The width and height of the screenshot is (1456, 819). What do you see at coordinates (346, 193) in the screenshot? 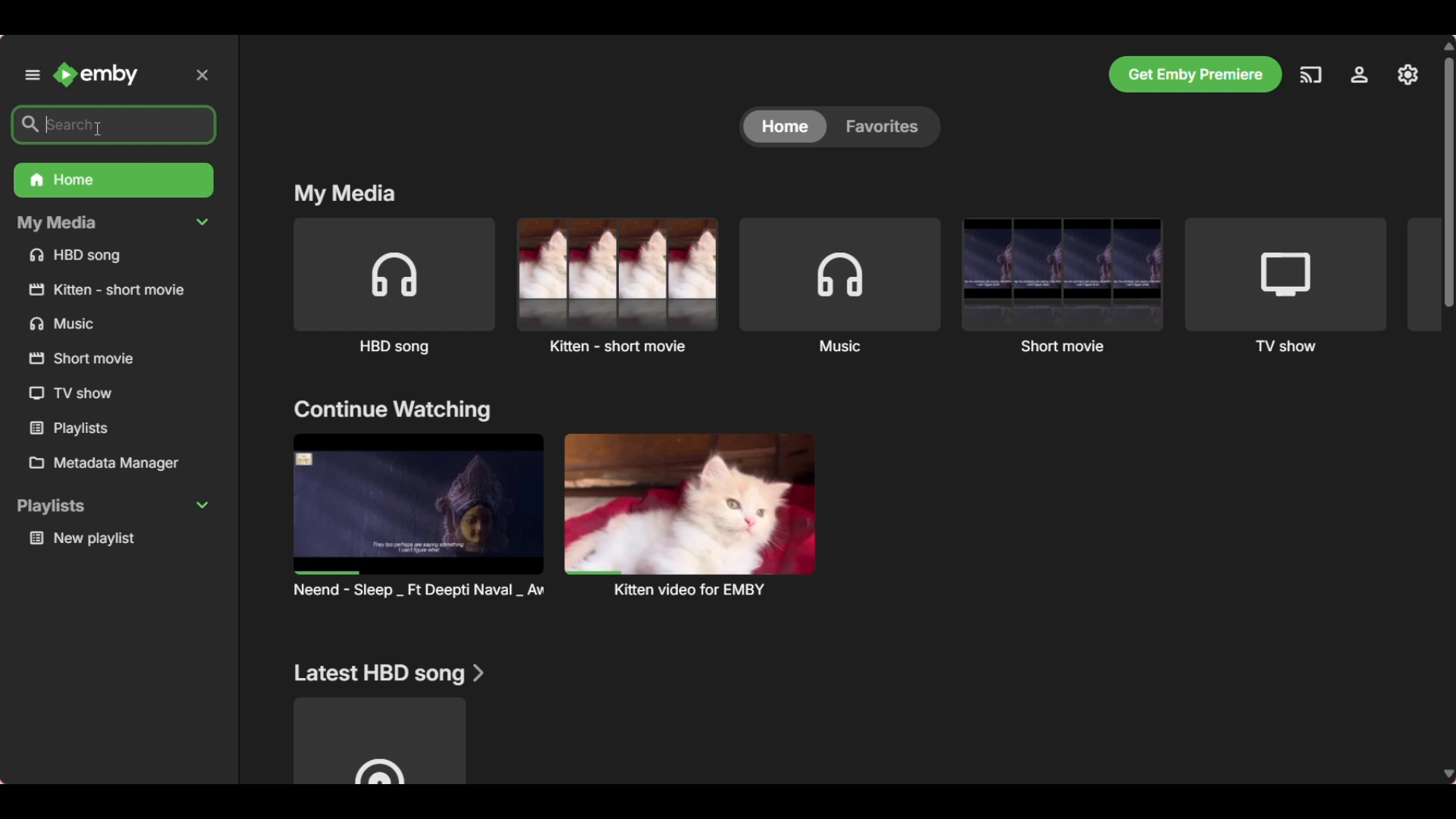
I see `Section title` at bounding box center [346, 193].